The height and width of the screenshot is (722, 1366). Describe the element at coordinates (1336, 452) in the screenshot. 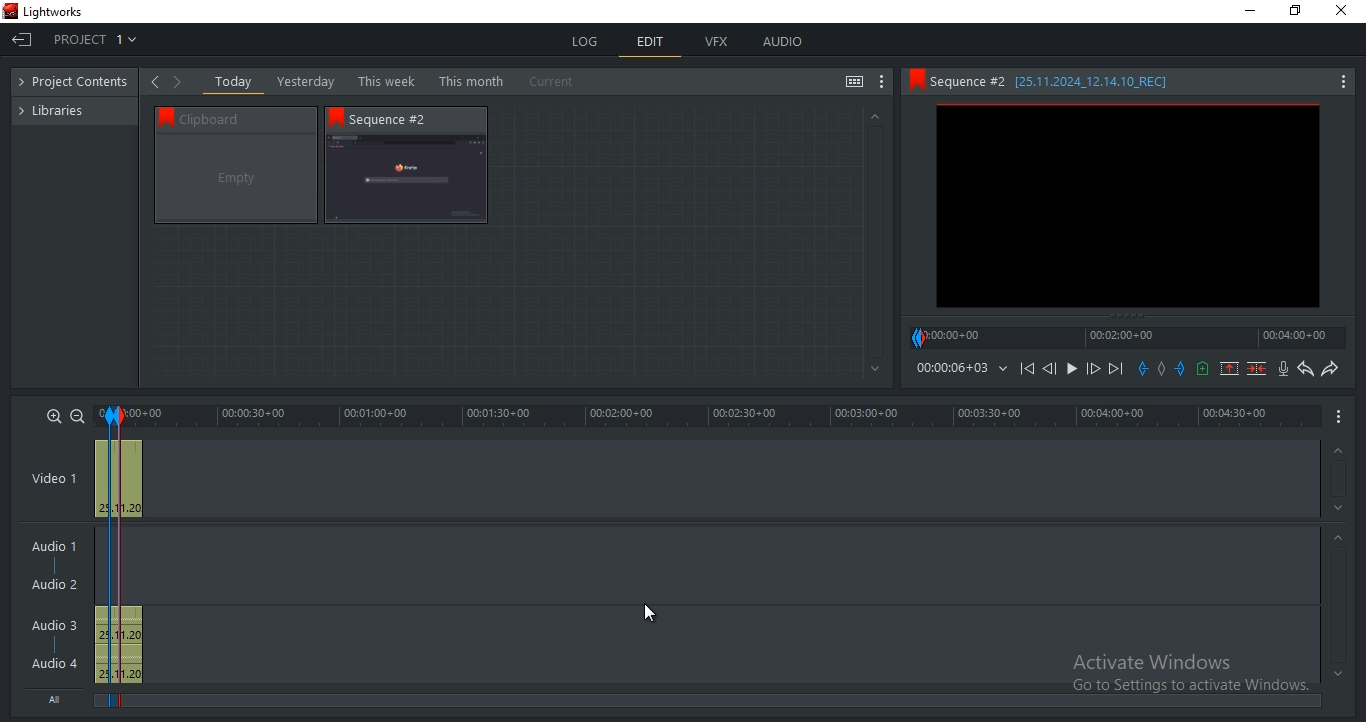

I see `Greyed out up arrow` at that location.